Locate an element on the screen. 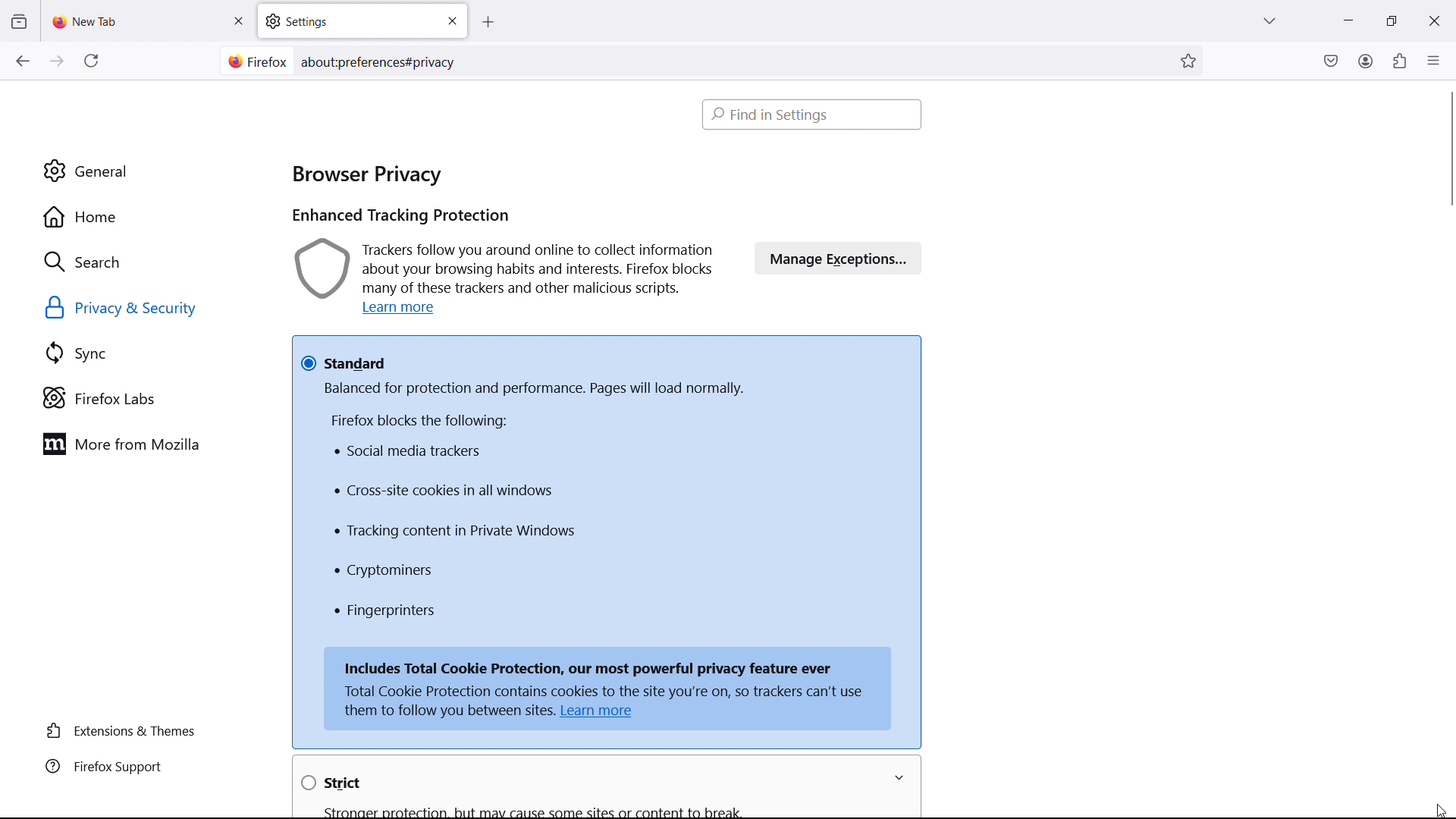 Image resolution: width=1456 pixels, height=819 pixels. general is located at coordinates (143, 171).